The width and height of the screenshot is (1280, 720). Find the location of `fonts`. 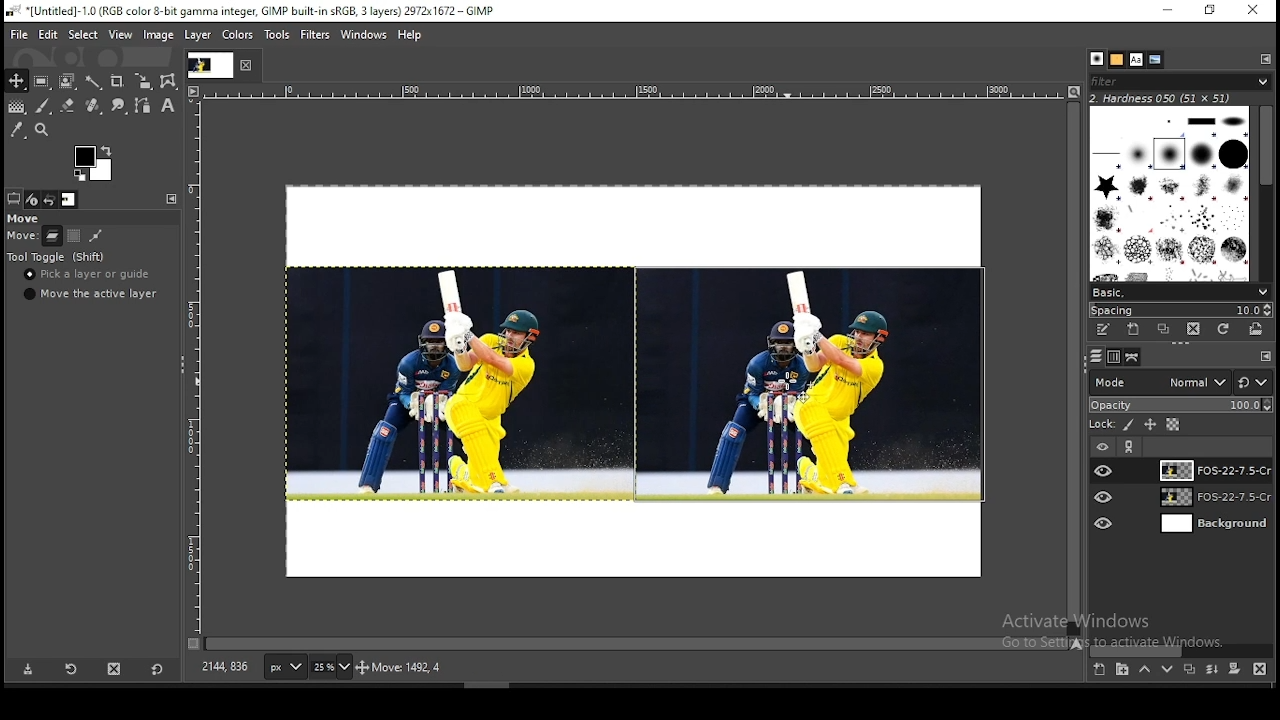

fonts is located at coordinates (1137, 59).